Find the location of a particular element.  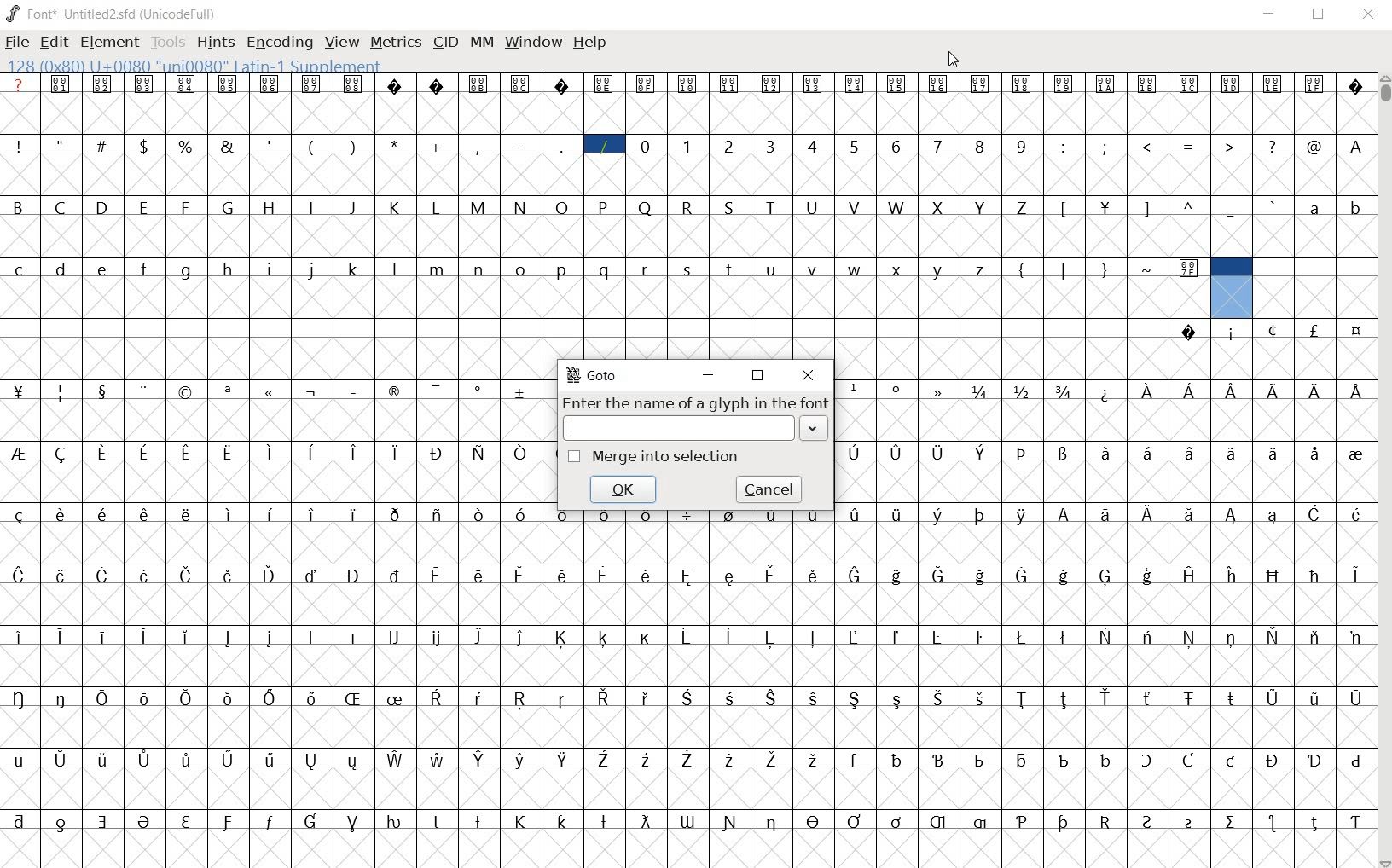

Symbol is located at coordinates (980, 637).